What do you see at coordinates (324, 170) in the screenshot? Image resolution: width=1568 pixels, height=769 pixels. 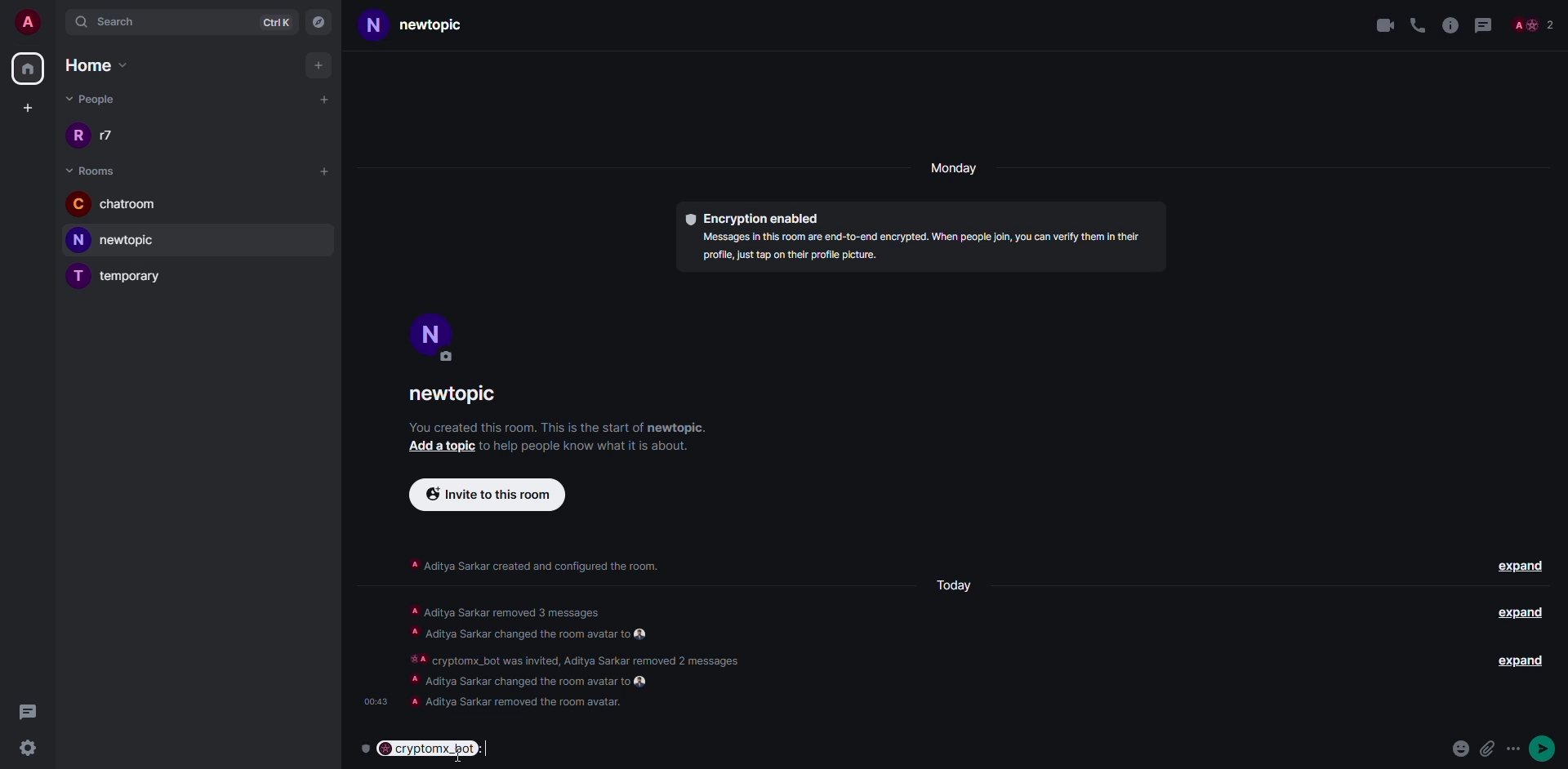 I see `add` at bounding box center [324, 170].